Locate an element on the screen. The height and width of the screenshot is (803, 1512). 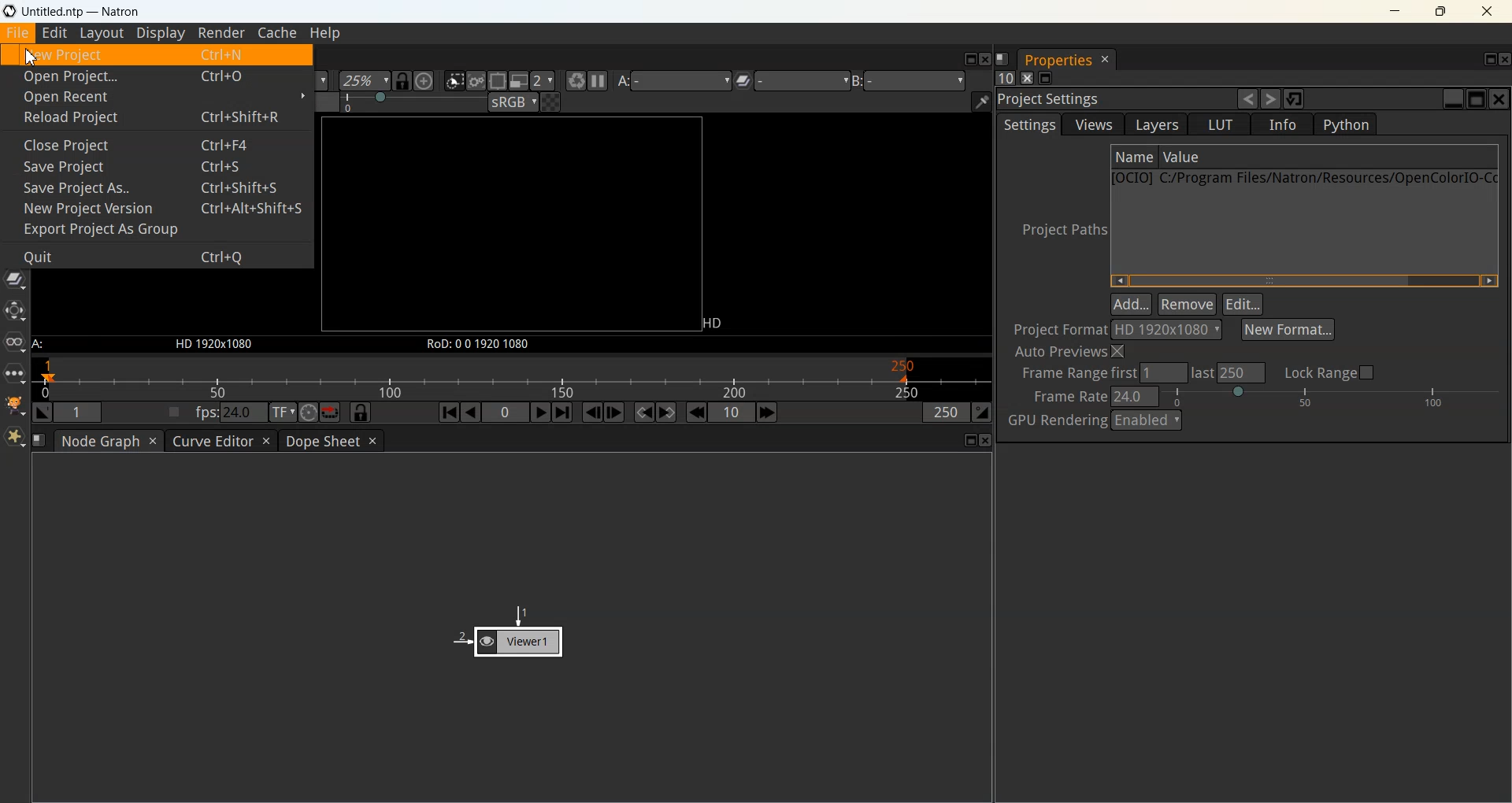
Views is located at coordinates (15, 342).